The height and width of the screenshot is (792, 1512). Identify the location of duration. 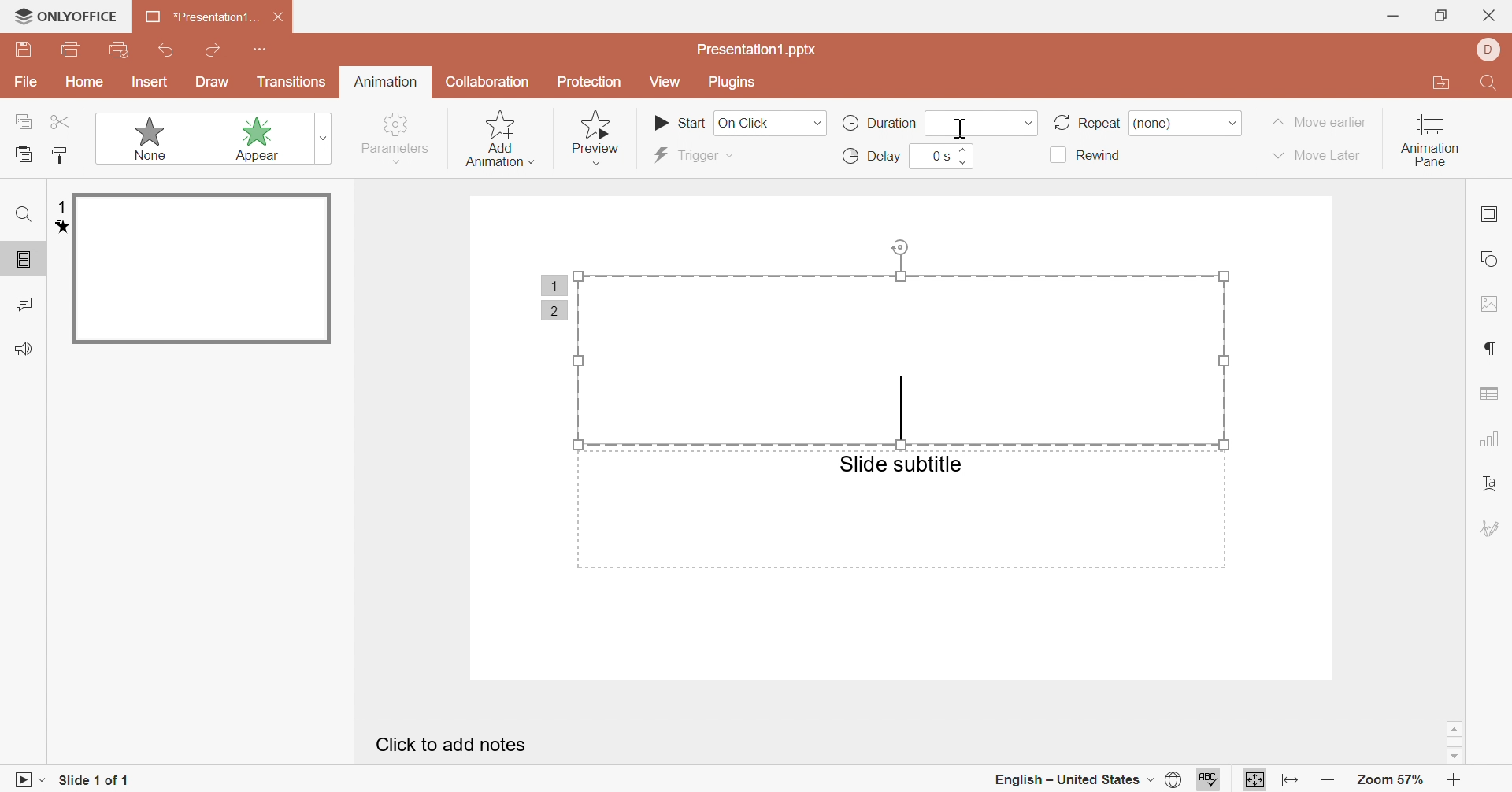
(876, 123).